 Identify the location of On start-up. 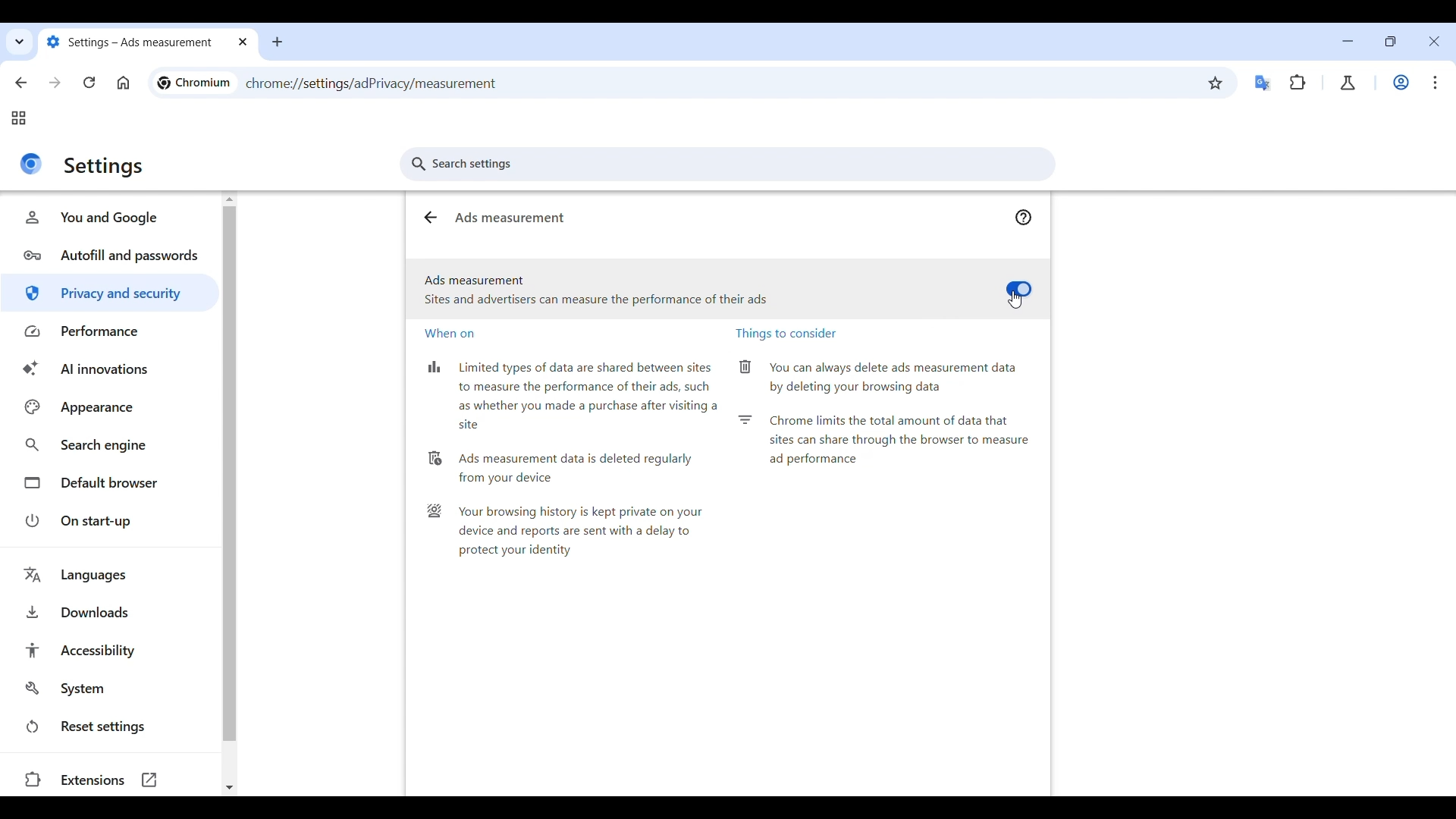
(109, 520).